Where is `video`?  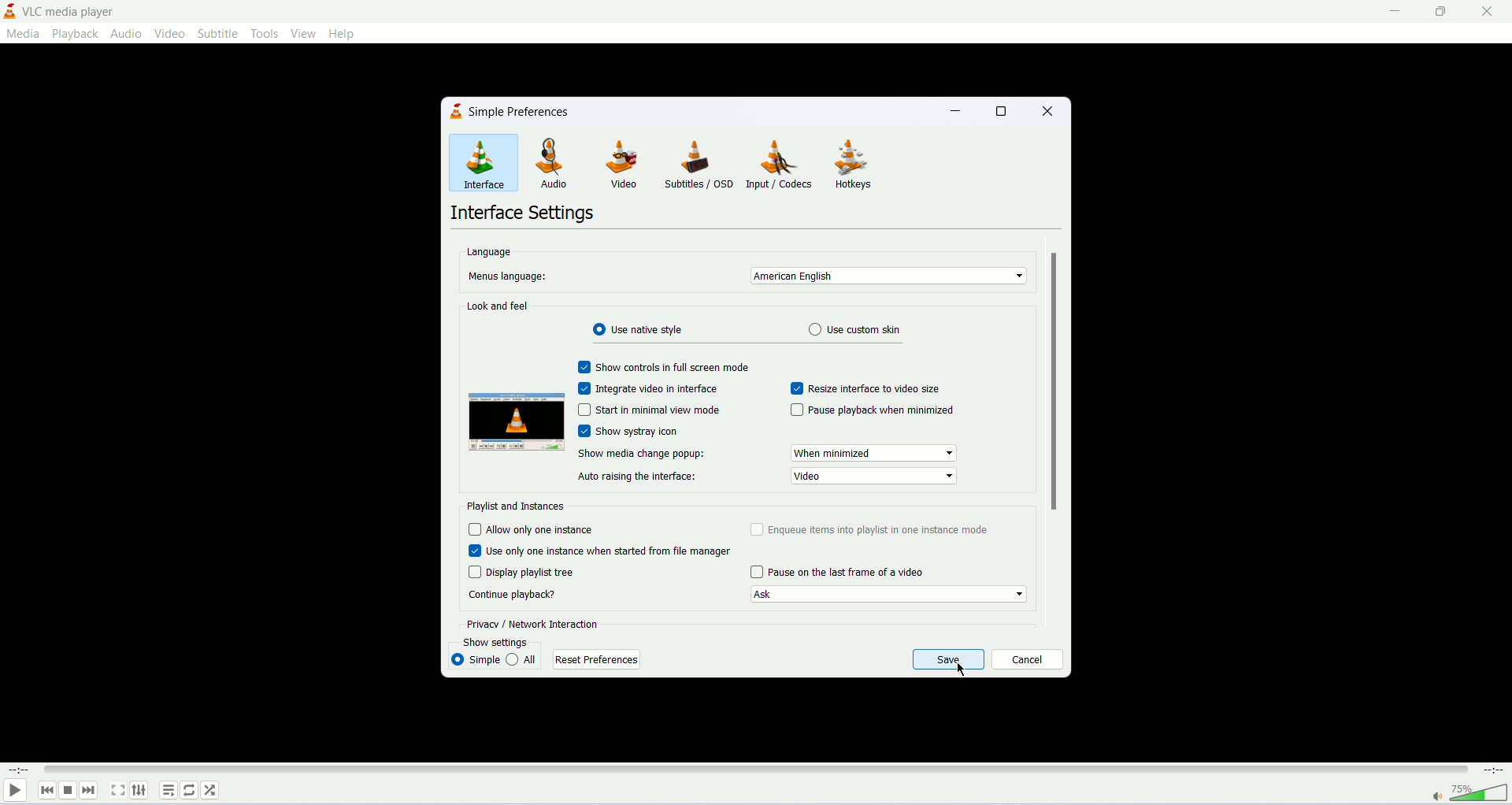
video is located at coordinates (169, 34).